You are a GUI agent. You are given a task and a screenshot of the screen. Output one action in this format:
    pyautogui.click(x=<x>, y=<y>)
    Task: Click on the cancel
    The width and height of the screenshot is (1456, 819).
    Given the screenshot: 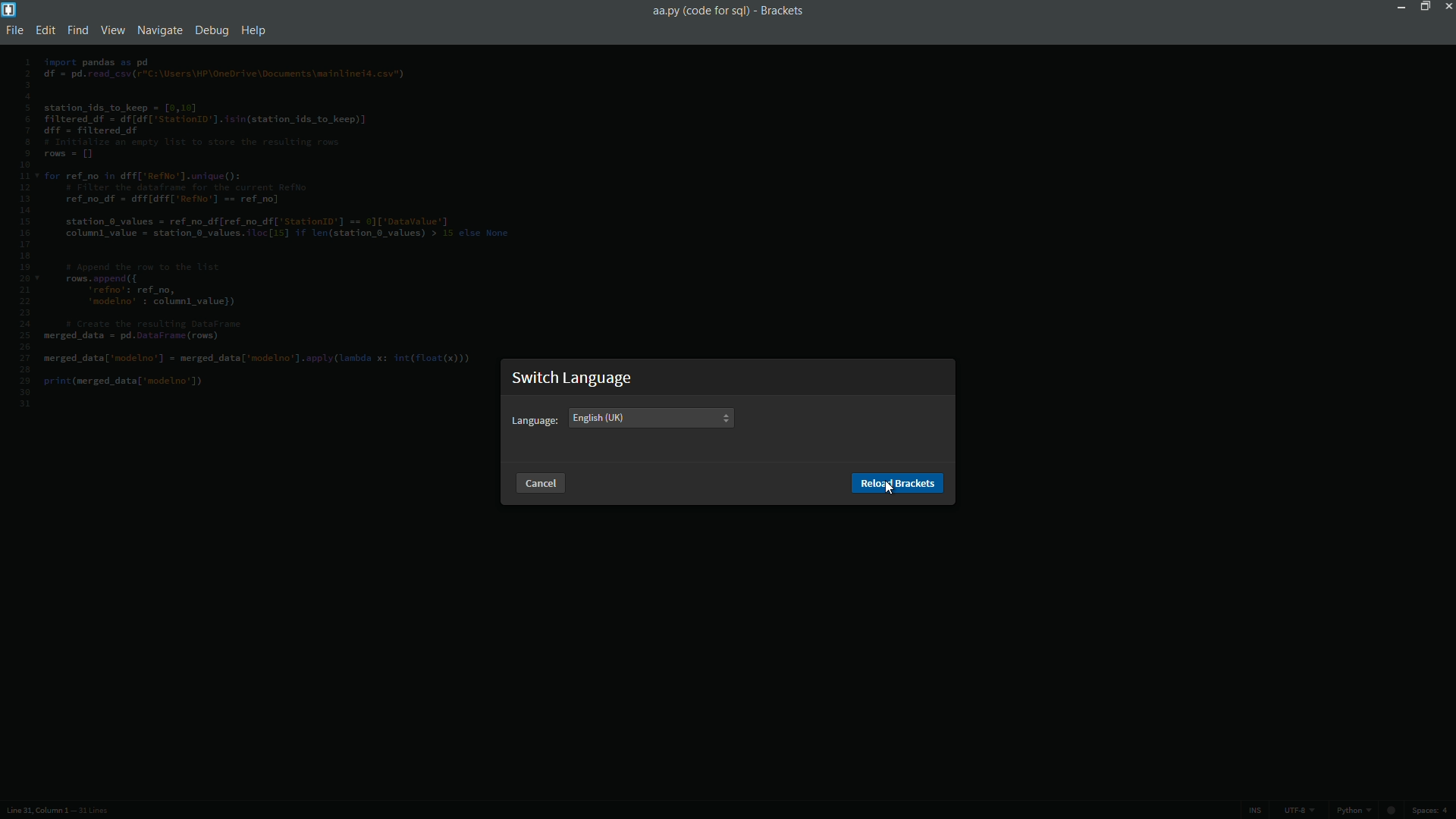 What is the action you would take?
    pyautogui.click(x=538, y=482)
    